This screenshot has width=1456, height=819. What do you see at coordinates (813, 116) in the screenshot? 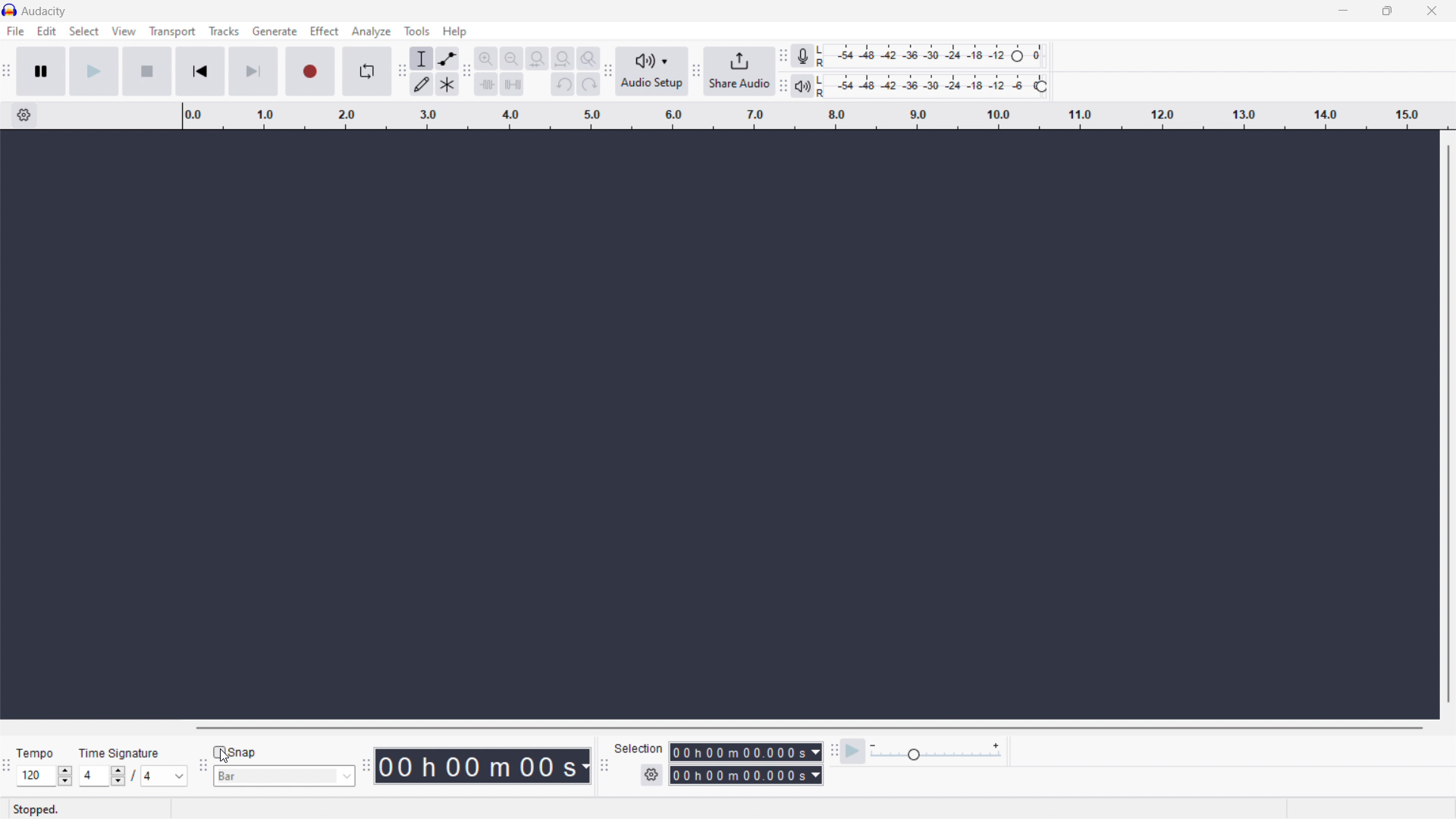
I see `timeline` at bounding box center [813, 116].